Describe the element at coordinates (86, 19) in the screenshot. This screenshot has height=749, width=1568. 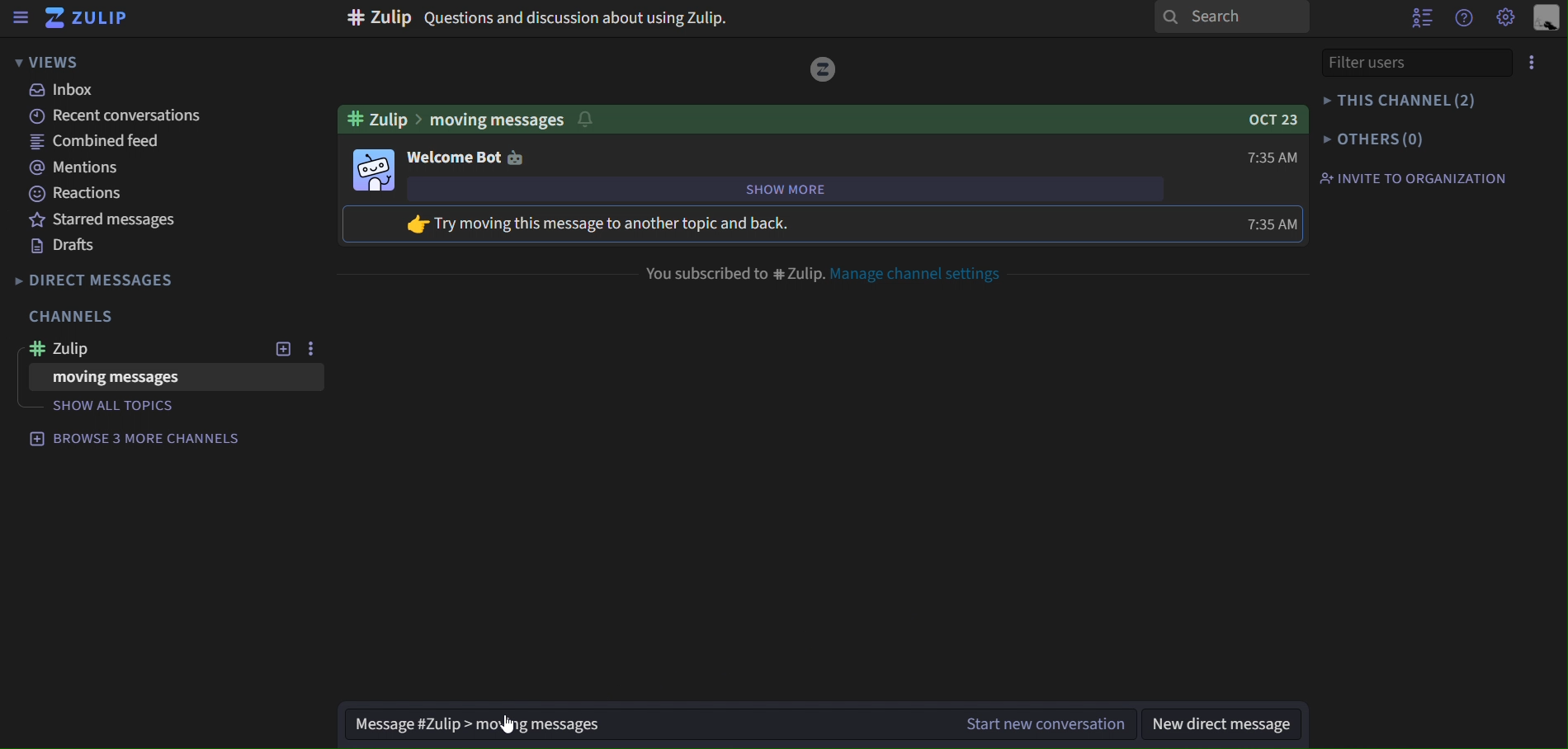
I see `Zulip logo` at that location.